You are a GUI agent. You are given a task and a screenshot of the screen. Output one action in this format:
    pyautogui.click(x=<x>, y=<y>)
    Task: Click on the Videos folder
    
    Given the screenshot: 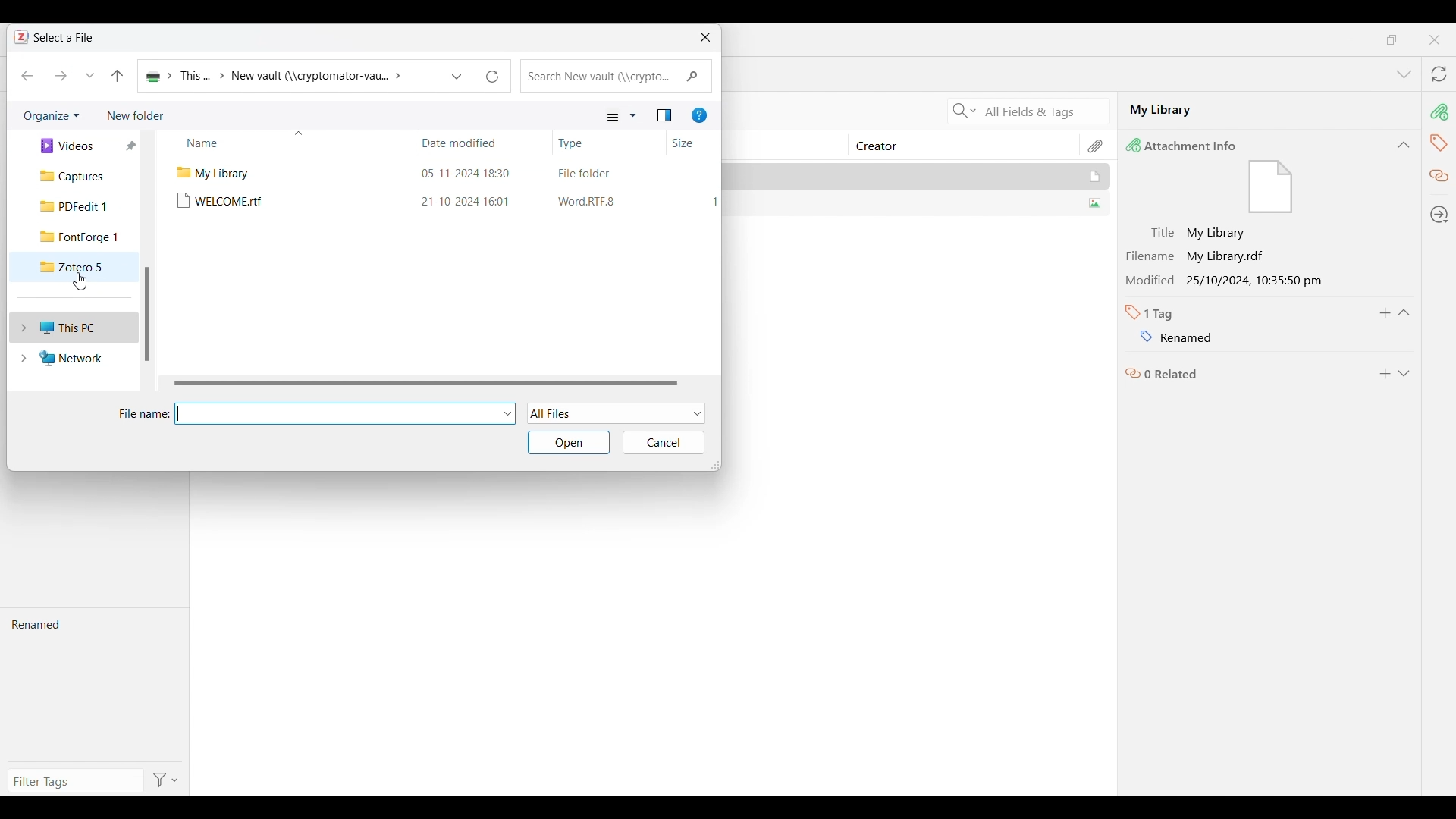 What is the action you would take?
    pyautogui.click(x=78, y=146)
    